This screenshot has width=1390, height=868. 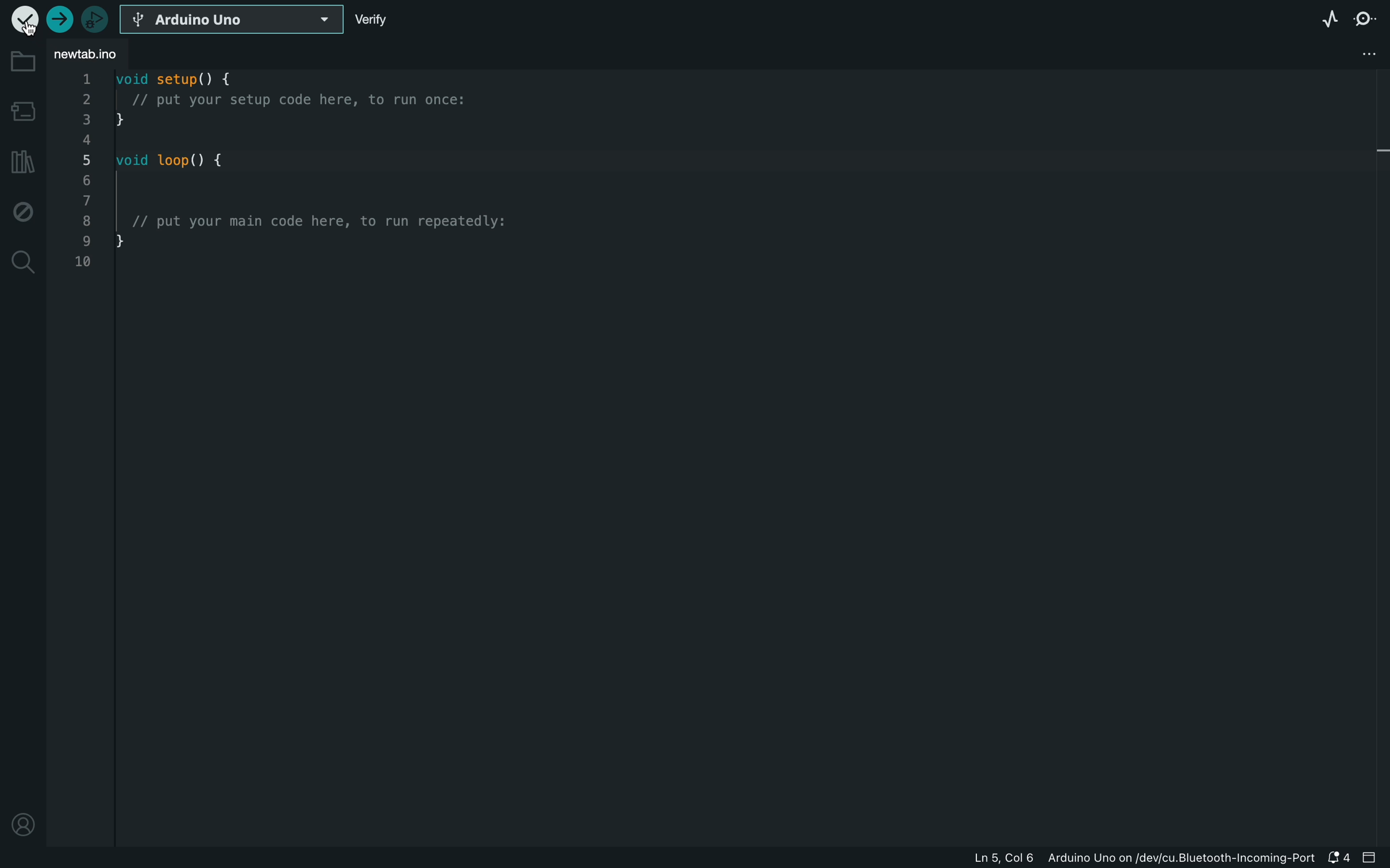 What do you see at coordinates (1340, 857) in the screenshot?
I see `notification` at bounding box center [1340, 857].